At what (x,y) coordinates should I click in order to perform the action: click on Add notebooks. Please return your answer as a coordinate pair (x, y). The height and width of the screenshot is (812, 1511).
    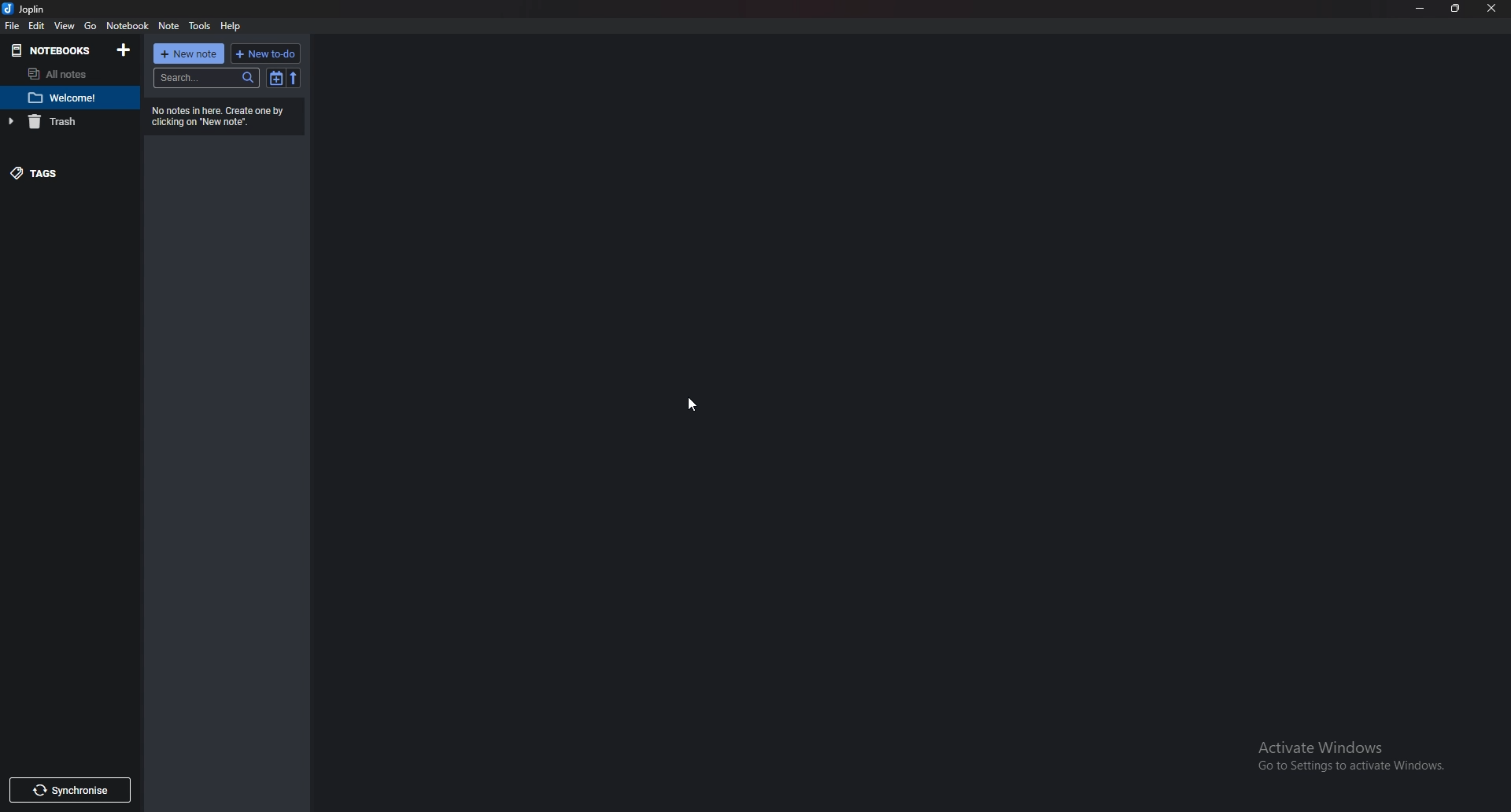
    Looking at the image, I should click on (123, 50).